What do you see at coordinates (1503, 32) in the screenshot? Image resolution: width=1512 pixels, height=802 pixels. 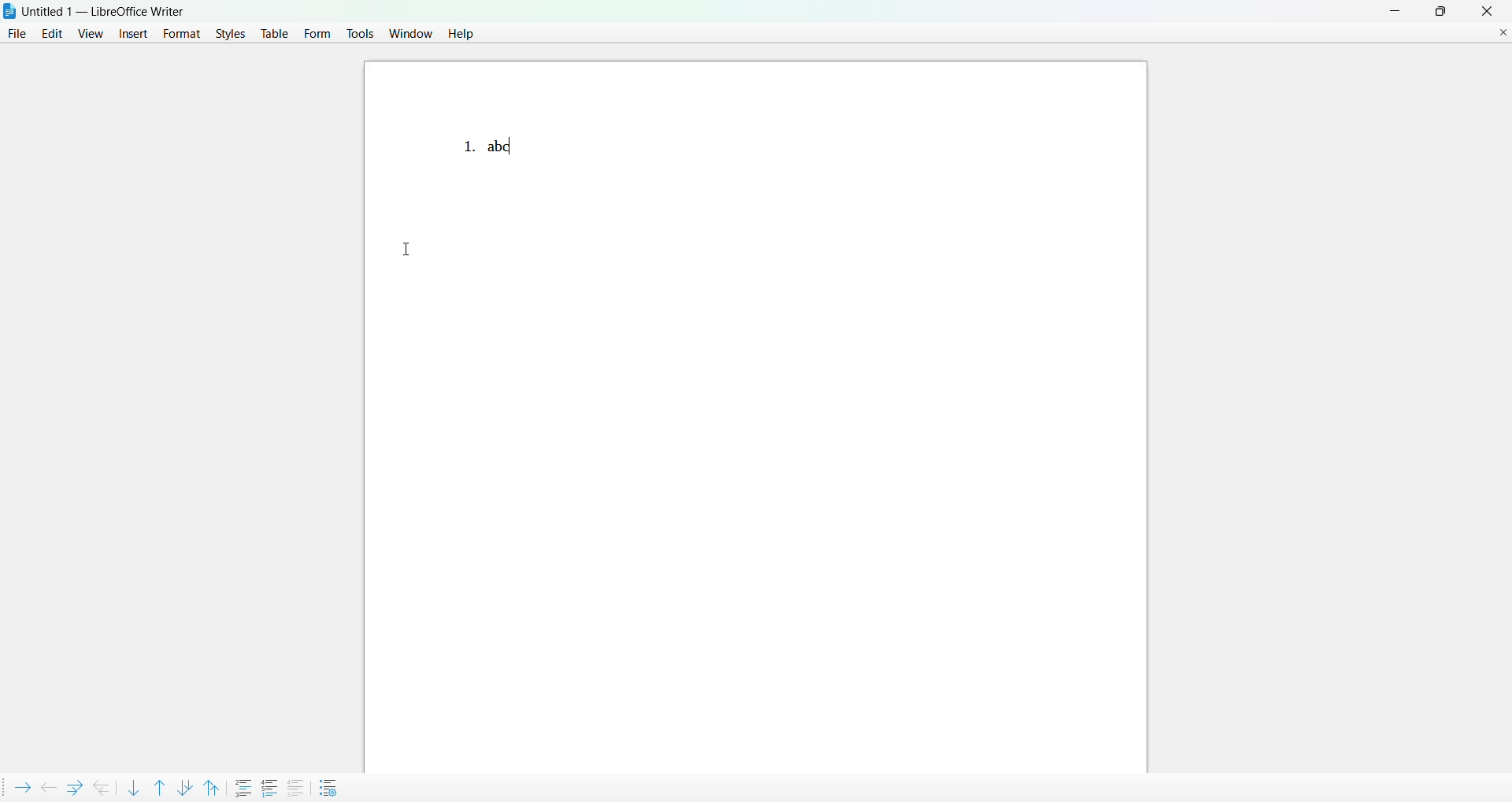 I see `close document` at bounding box center [1503, 32].